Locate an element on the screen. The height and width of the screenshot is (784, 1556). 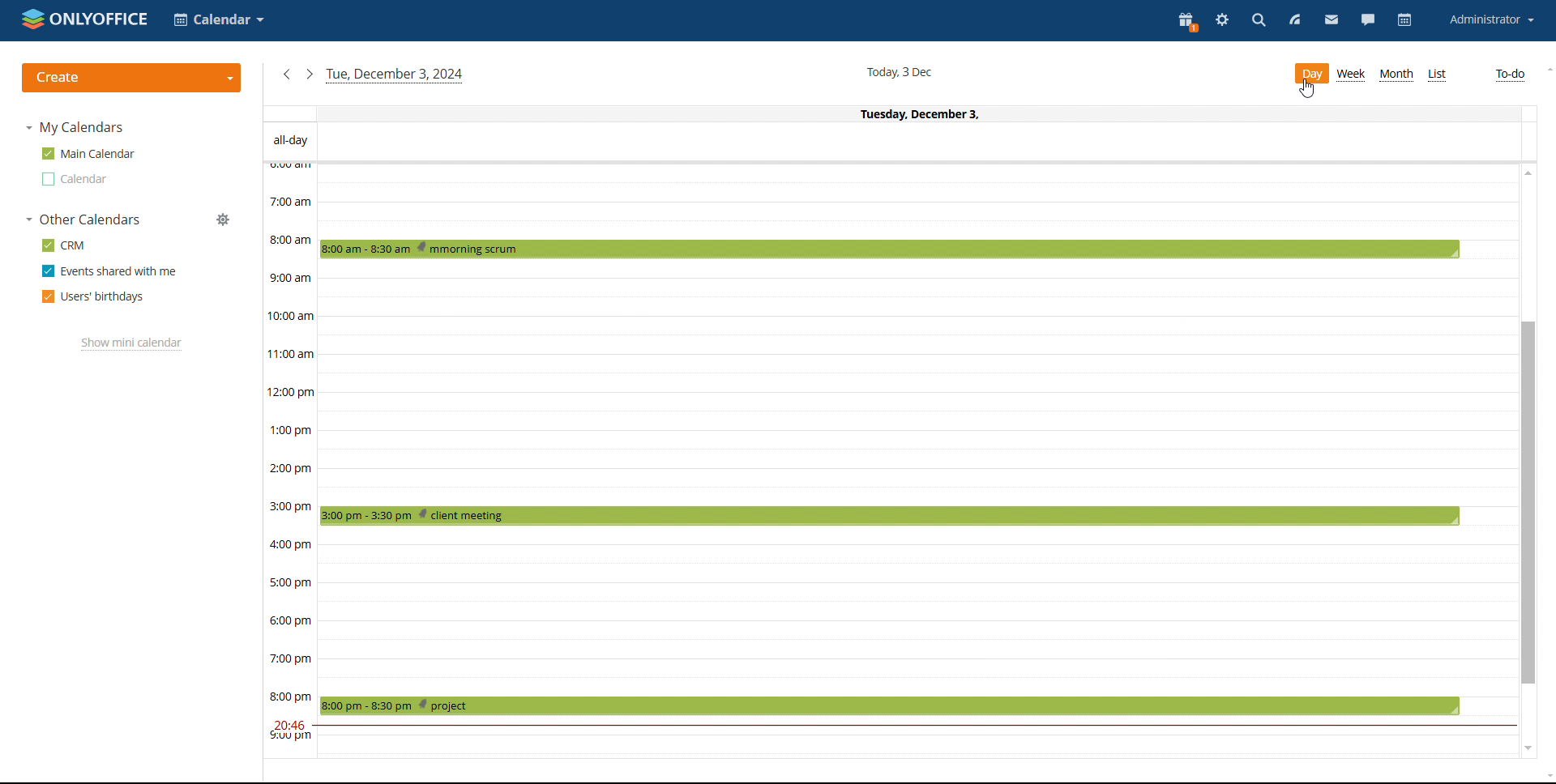
search is located at coordinates (1259, 21).